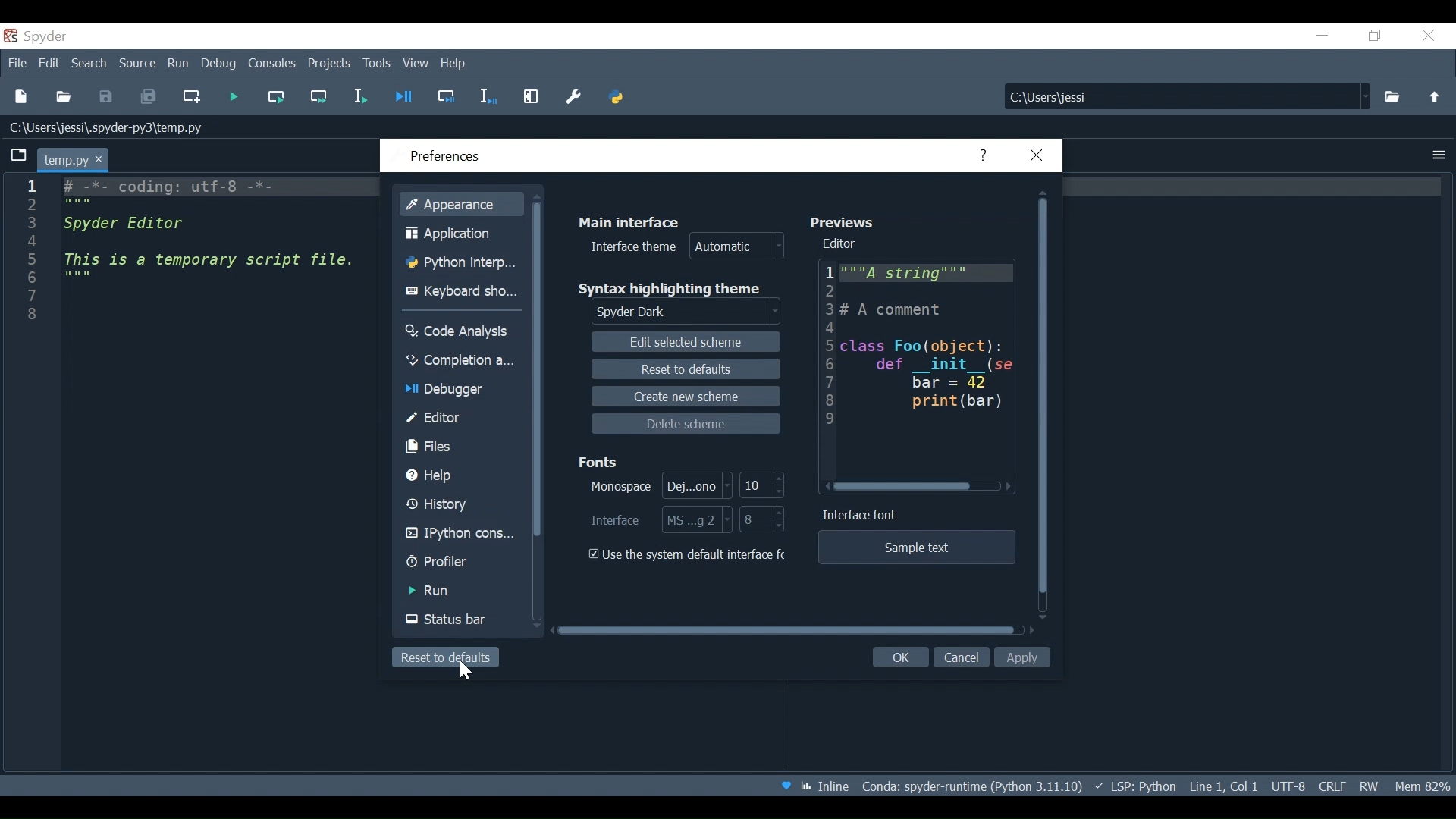  I want to click on Run, so click(179, 64).